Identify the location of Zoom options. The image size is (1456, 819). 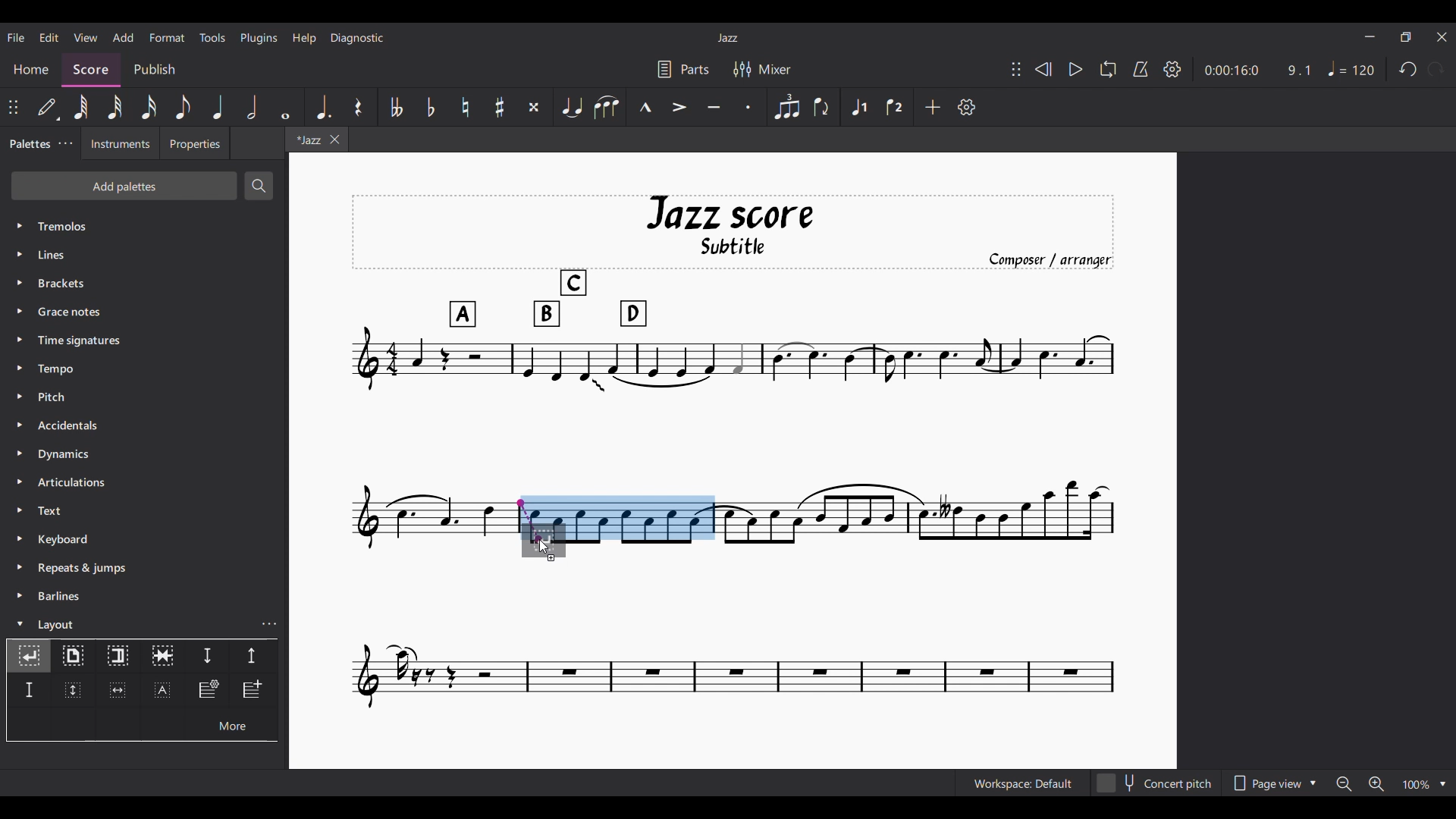
(1425, 784).